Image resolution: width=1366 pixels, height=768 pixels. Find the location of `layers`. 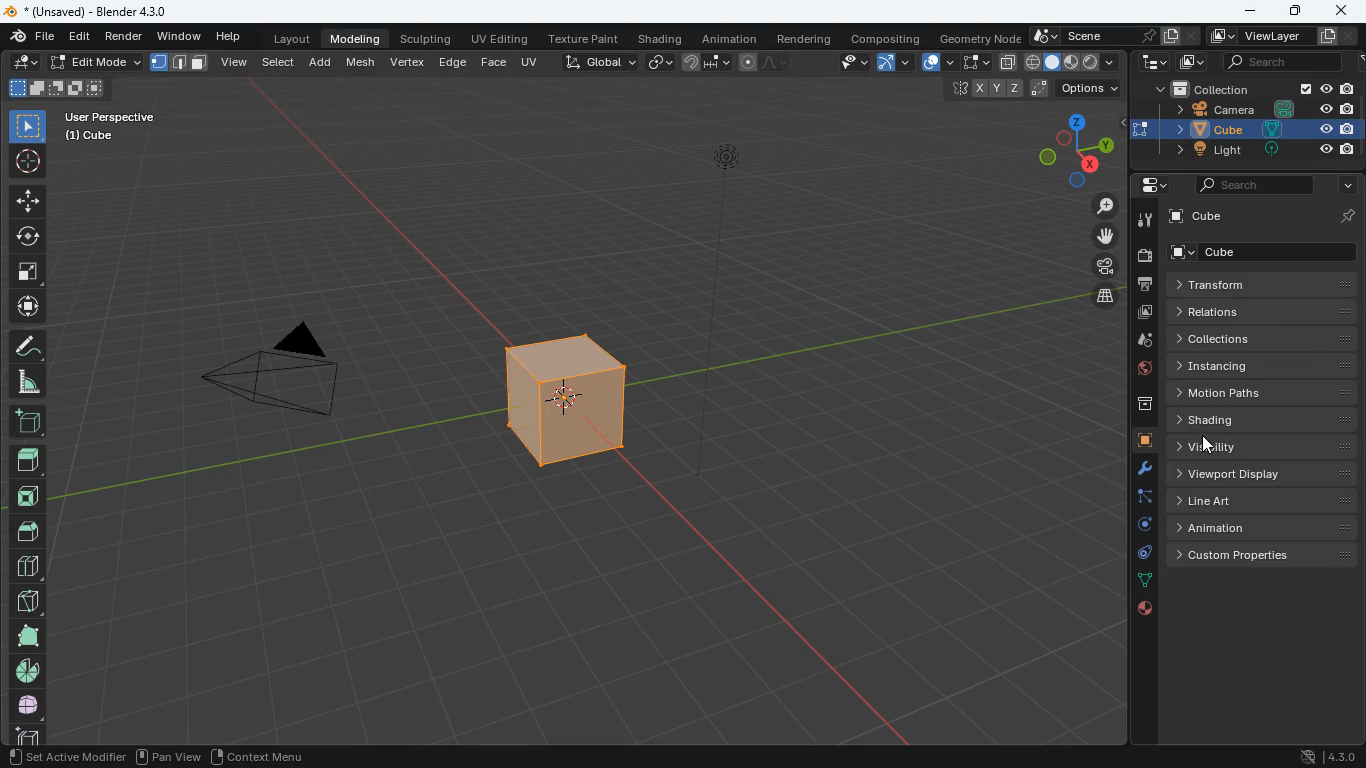

layers is located at coordinates (1106, 299).